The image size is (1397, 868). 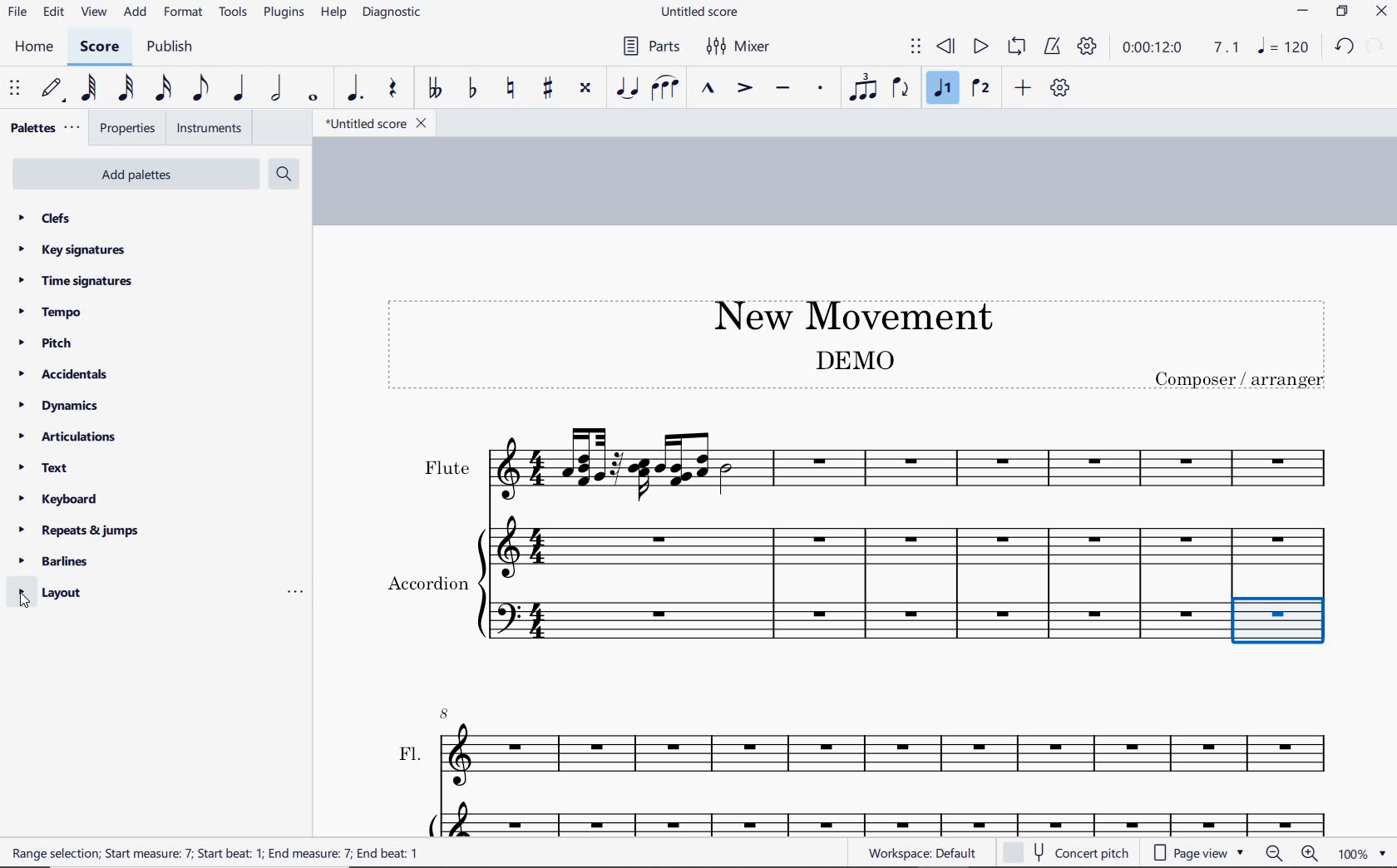 I want to click on help, so click(x=332, y=13).